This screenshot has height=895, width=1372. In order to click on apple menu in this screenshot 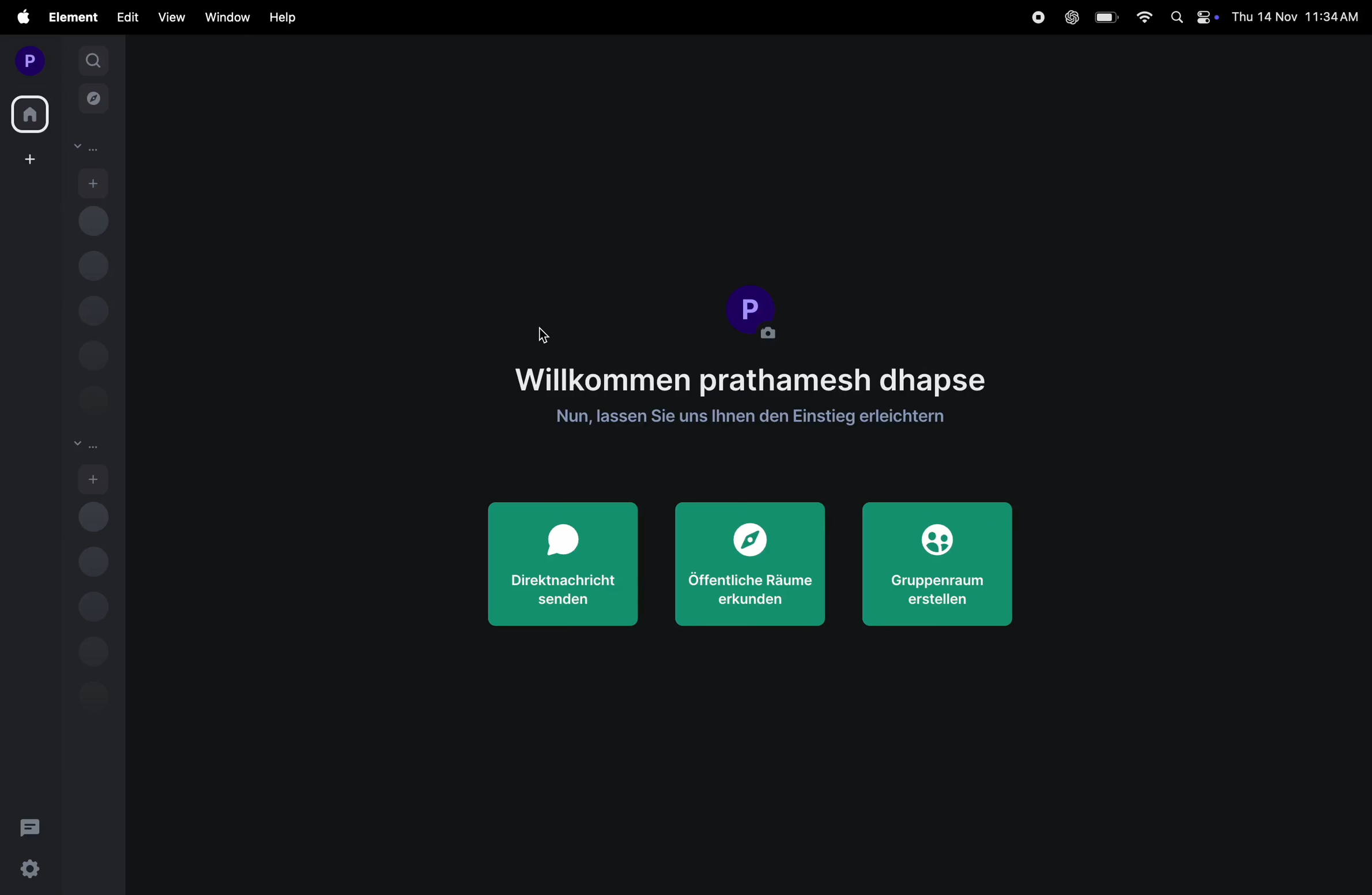, I will do `click(17, 18)`.